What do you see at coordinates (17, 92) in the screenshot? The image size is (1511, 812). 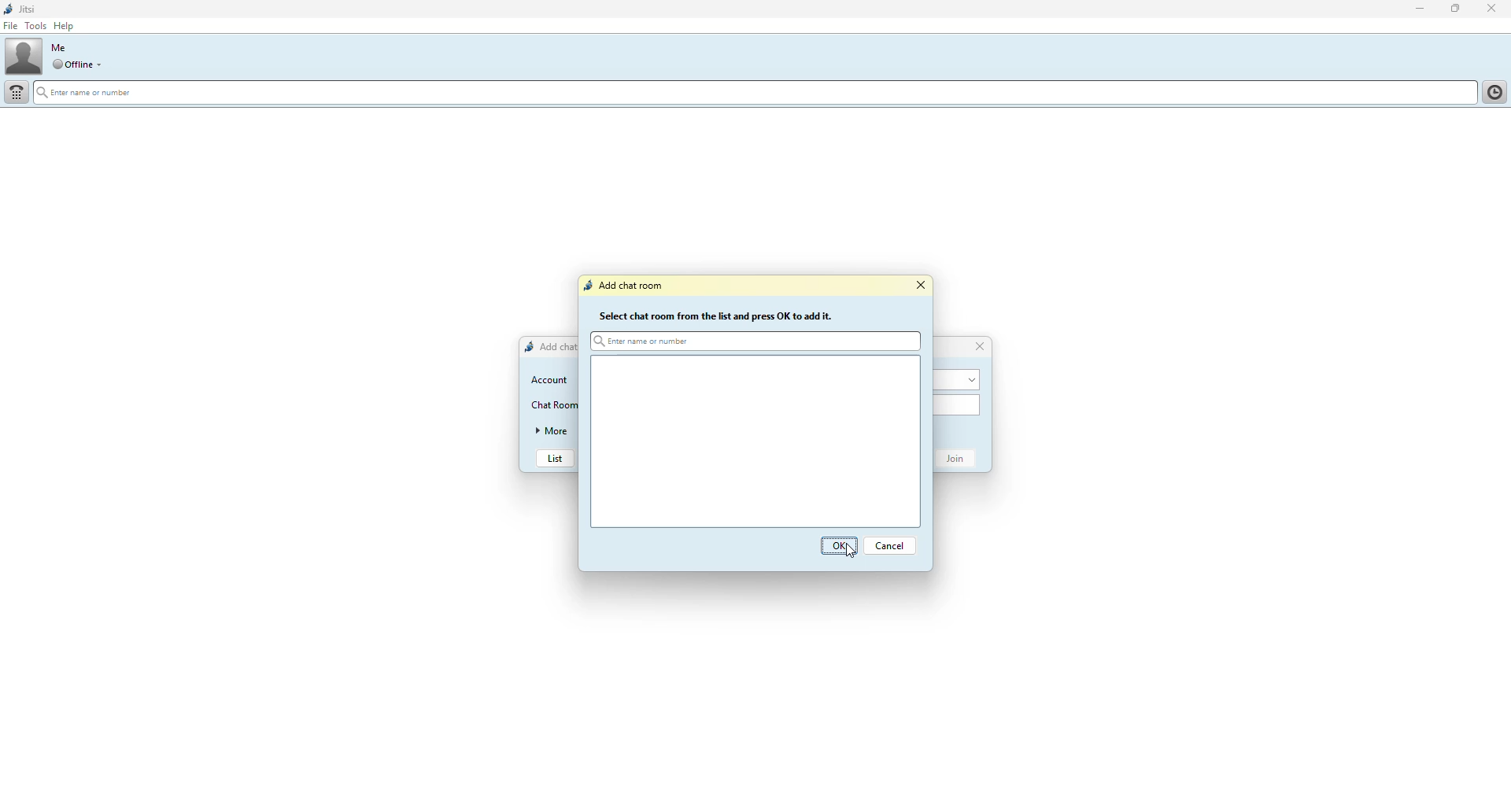 I see `dial pad` at bounding box center [17, 92].